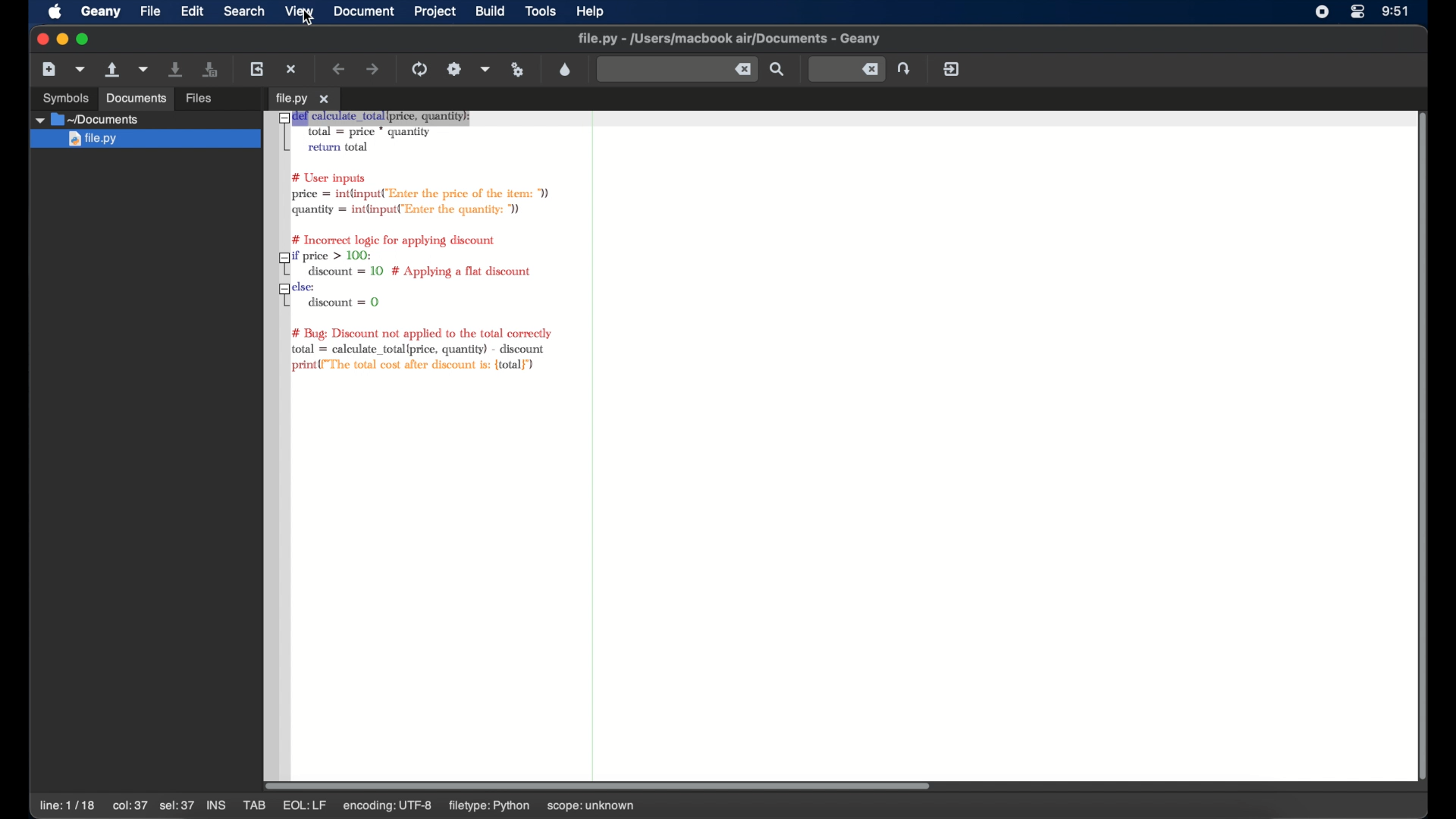  What do you see at coordinates (847, 69) in the screenshot?
I see `jump to the entered line number` at bounding box center [847, 69].